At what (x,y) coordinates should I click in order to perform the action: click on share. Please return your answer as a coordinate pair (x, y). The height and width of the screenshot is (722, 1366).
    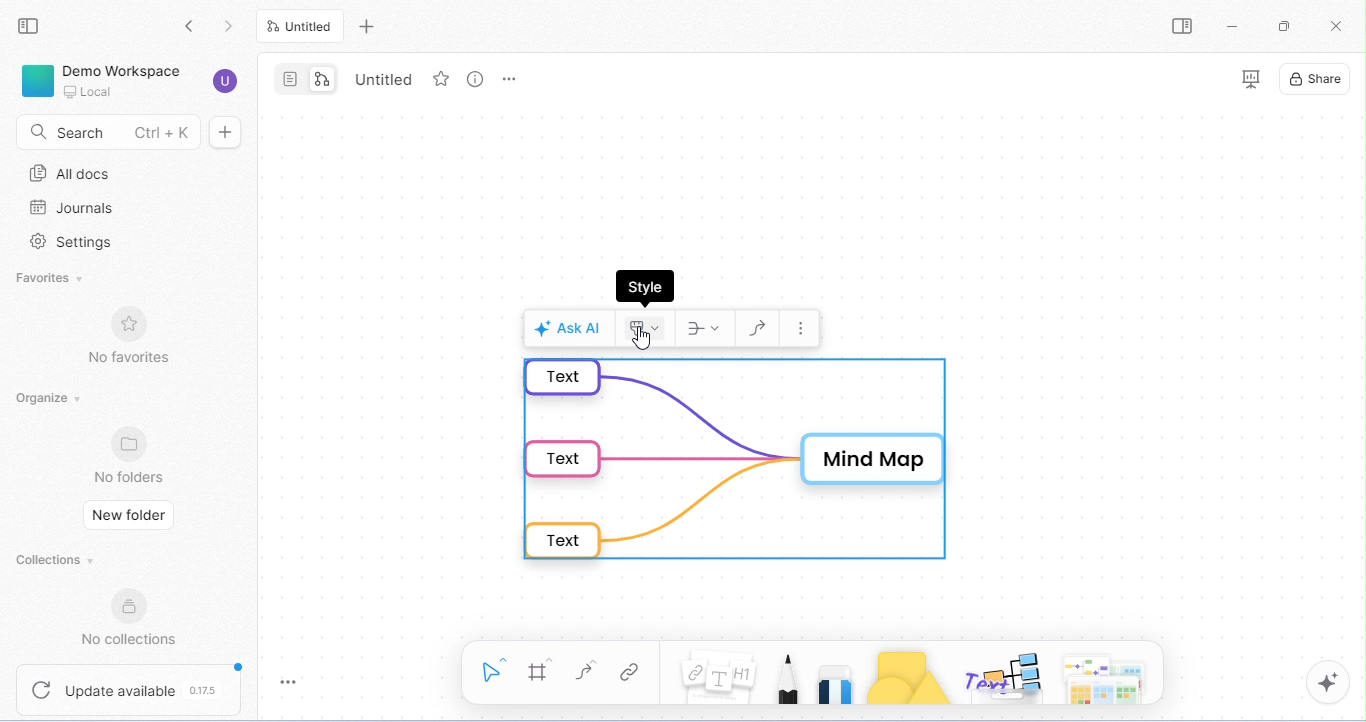
    Looking at the image, I should click on (1316, 79).